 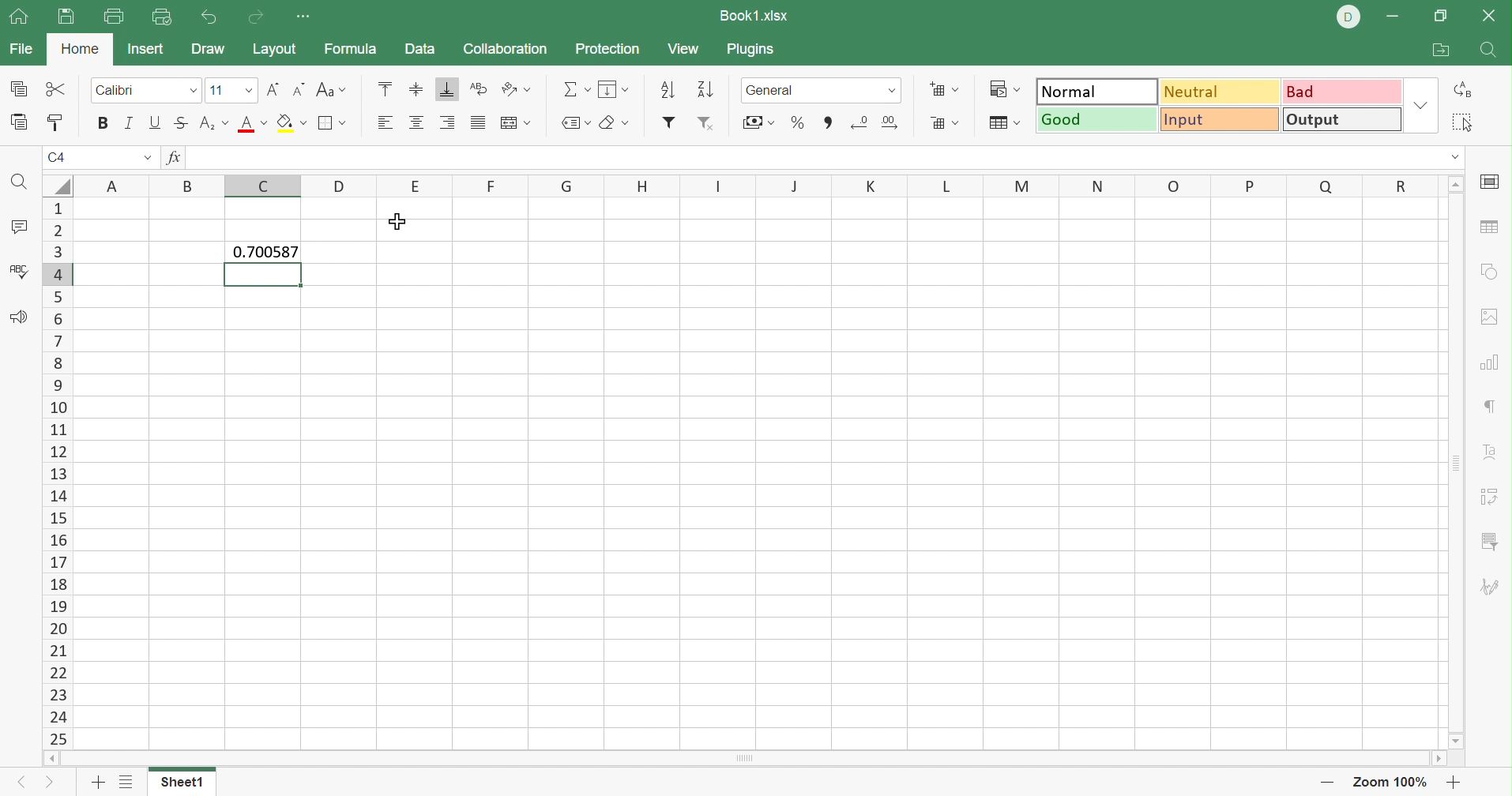 What do you see at coordinates (1491, 182) in the screenshot?
I see `Cell settings` at bounding box center [1491, 182].